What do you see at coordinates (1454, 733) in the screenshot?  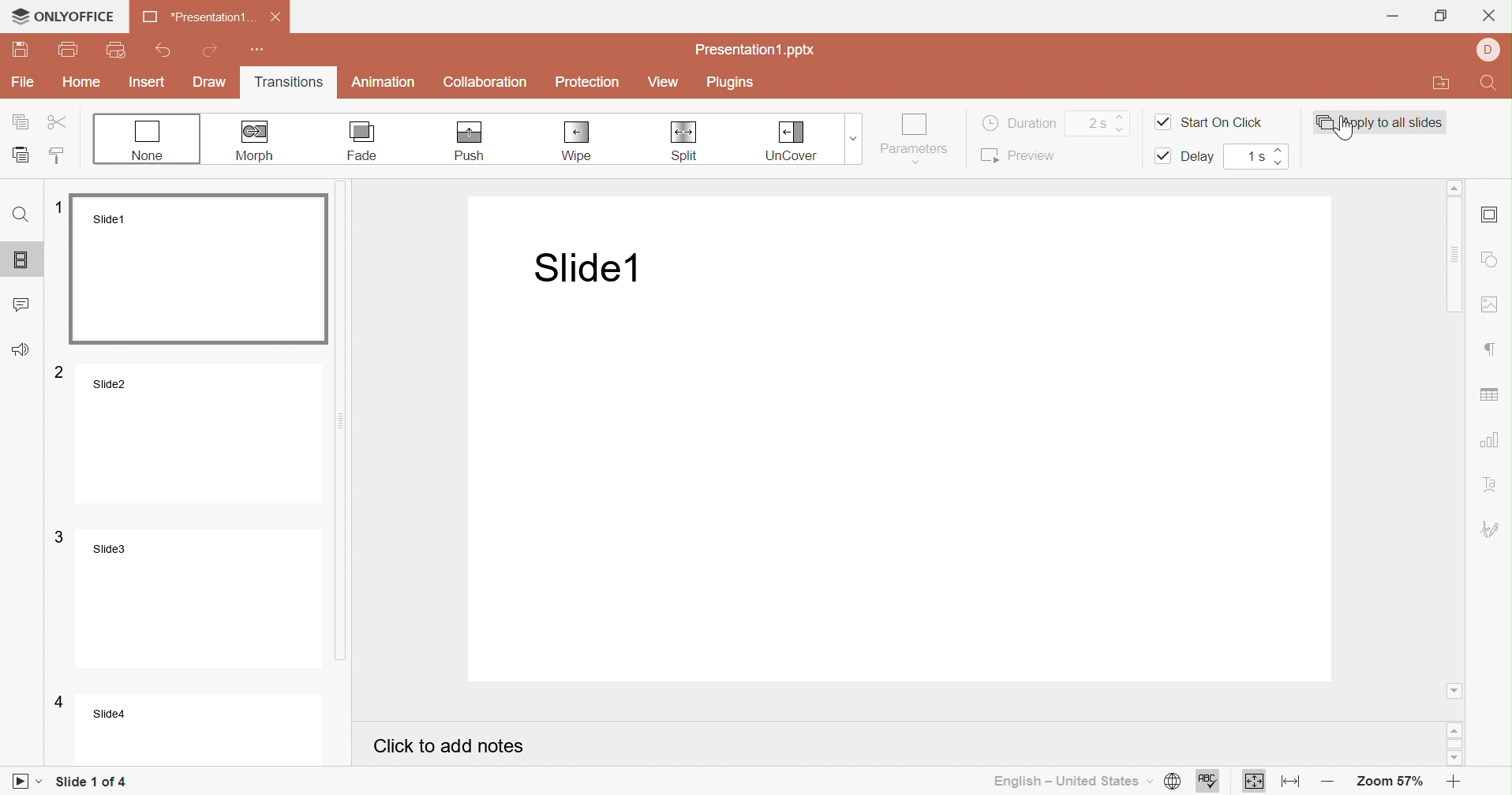 I see `Scroll up` at bounding box center [1454, 733].